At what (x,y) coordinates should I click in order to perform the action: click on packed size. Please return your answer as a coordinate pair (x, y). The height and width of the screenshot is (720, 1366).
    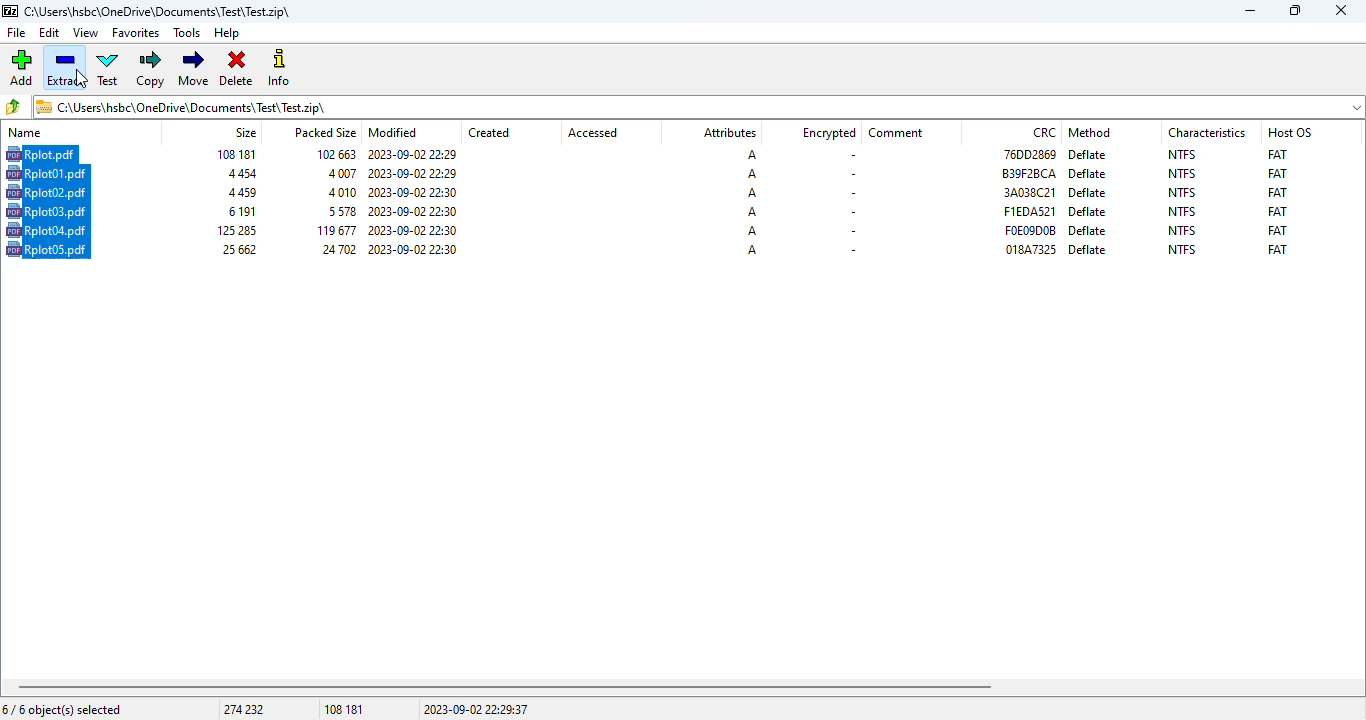
    Looking at the image, I should click on (332, 153).